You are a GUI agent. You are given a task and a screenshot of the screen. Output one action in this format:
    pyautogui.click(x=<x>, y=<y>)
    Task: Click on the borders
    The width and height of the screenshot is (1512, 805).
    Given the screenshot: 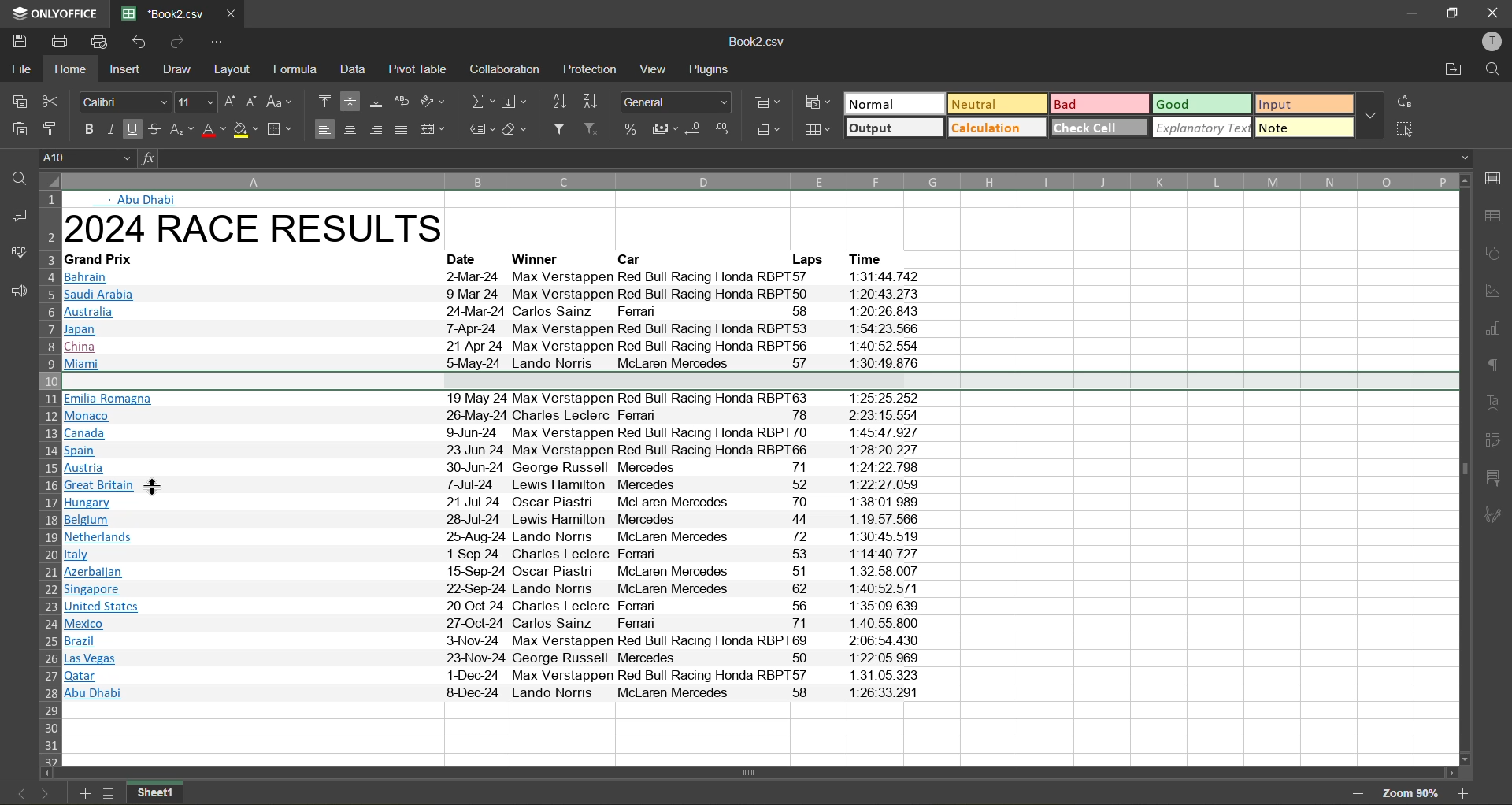 What is the action you would take?
    pyautogui.click(x=280, y=131)
    